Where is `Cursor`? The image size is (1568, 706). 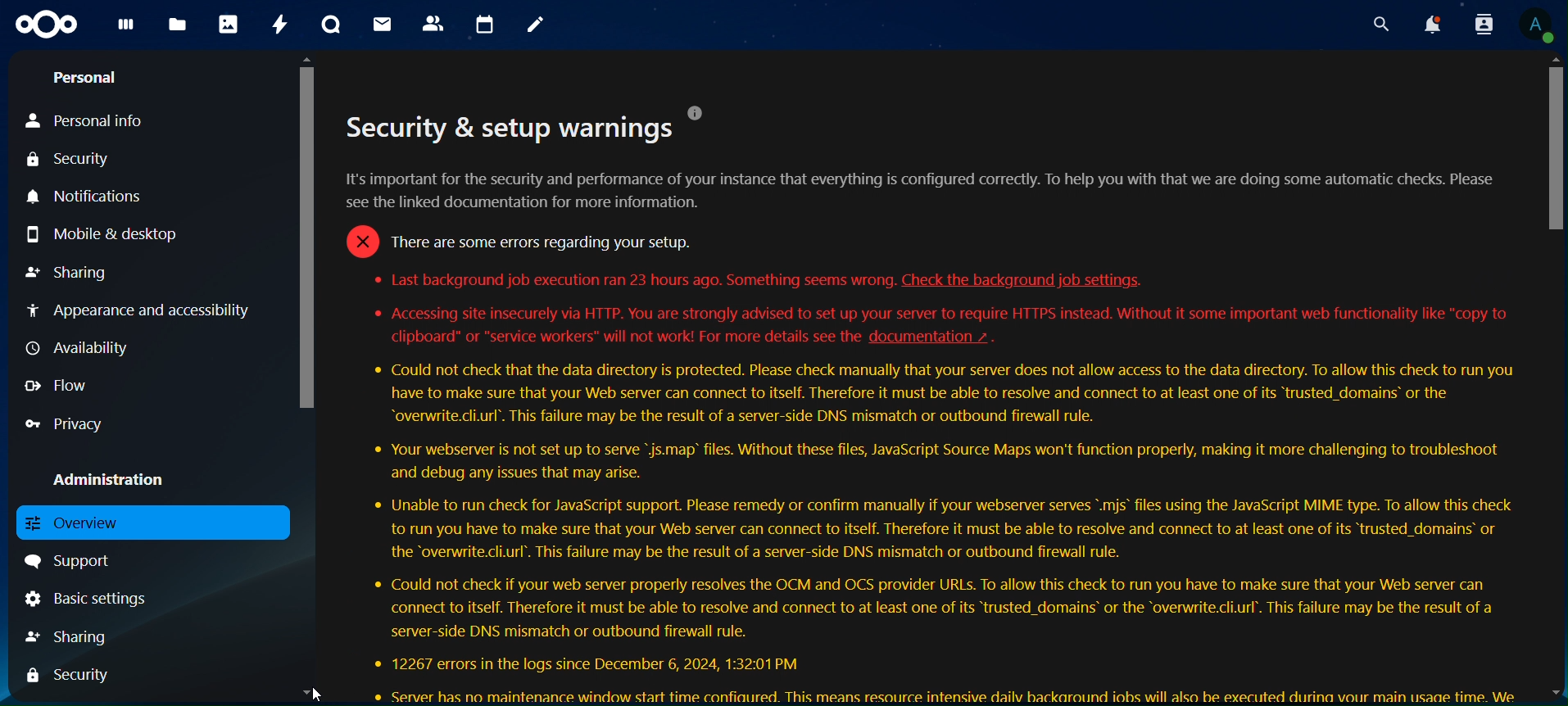 Cursor is located at coordinates (321, 692).